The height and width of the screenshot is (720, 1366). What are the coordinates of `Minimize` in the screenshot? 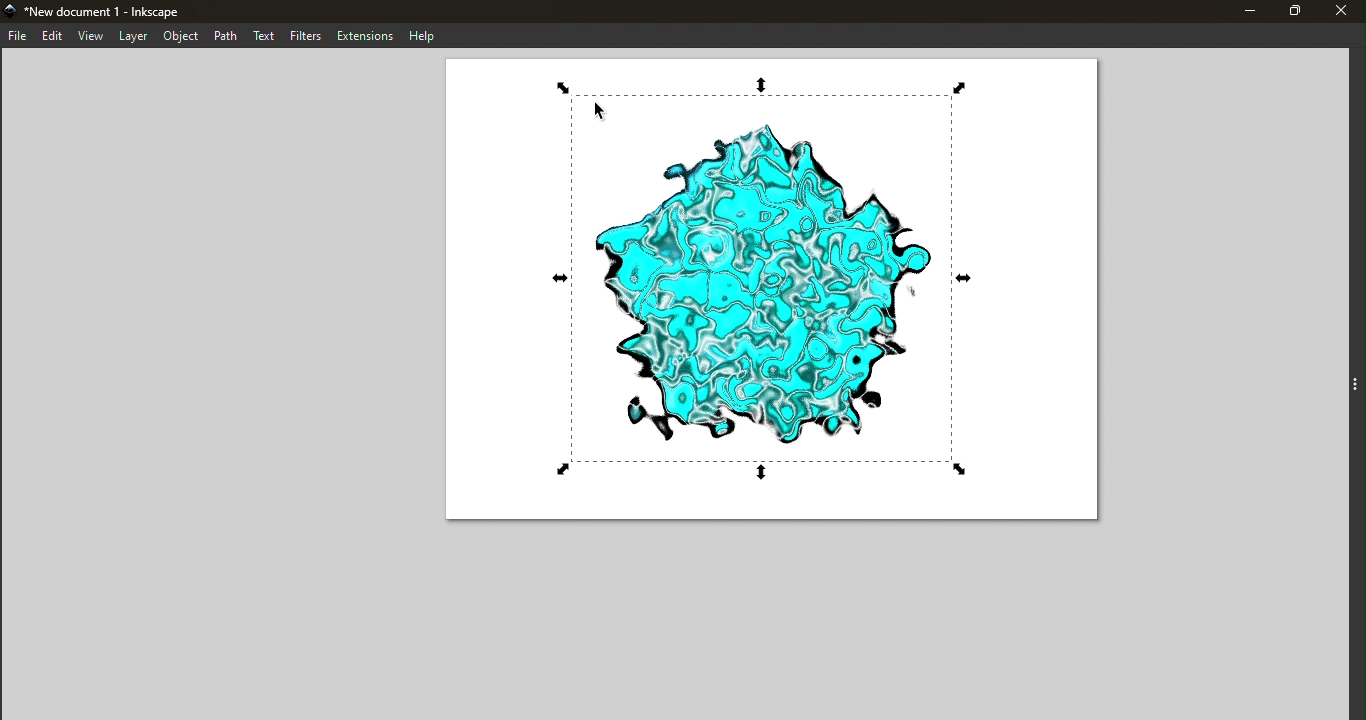 It's located at (1244, 11).